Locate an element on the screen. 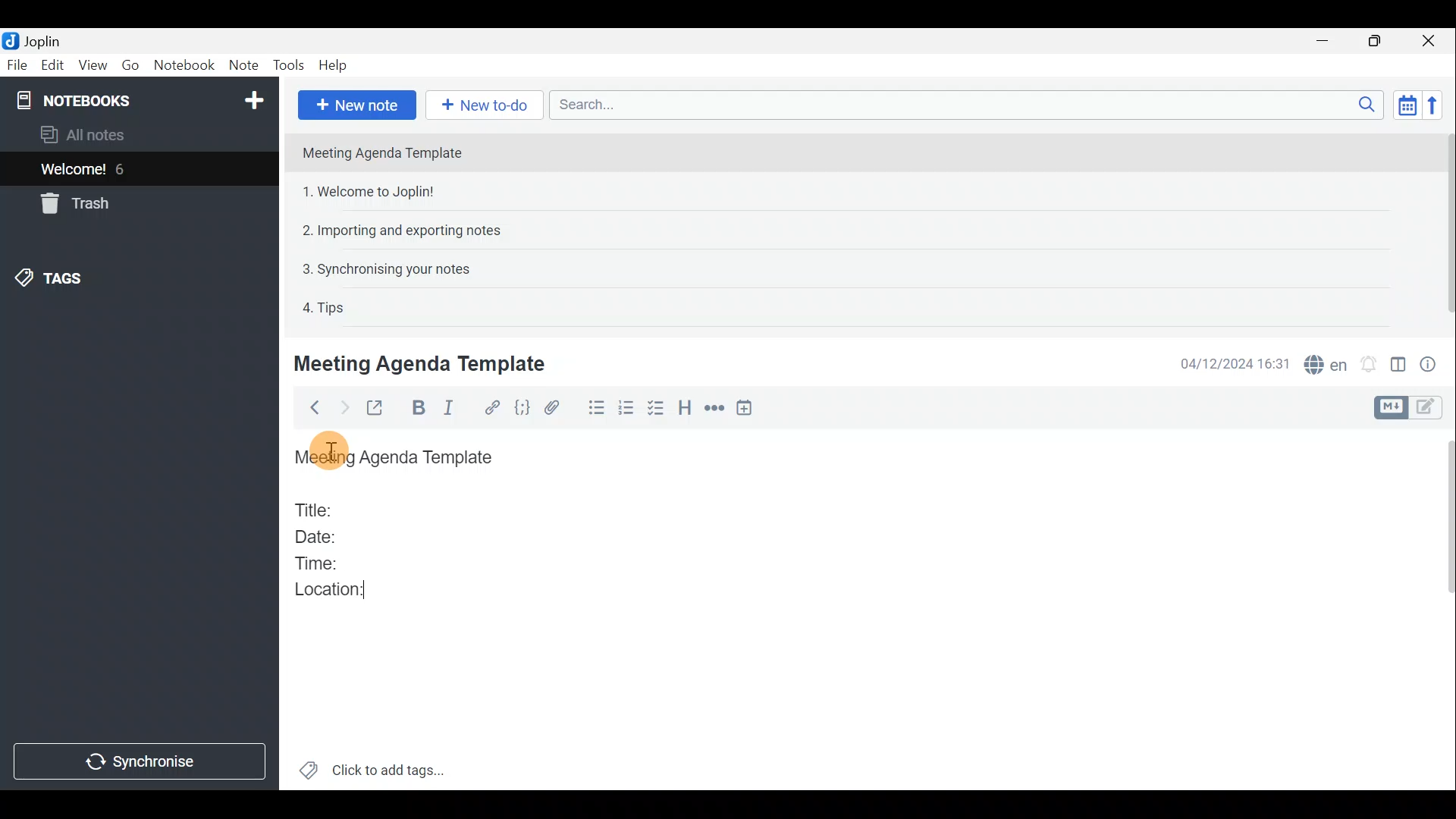  Toggle external editing is located at coordinates (379, 409).